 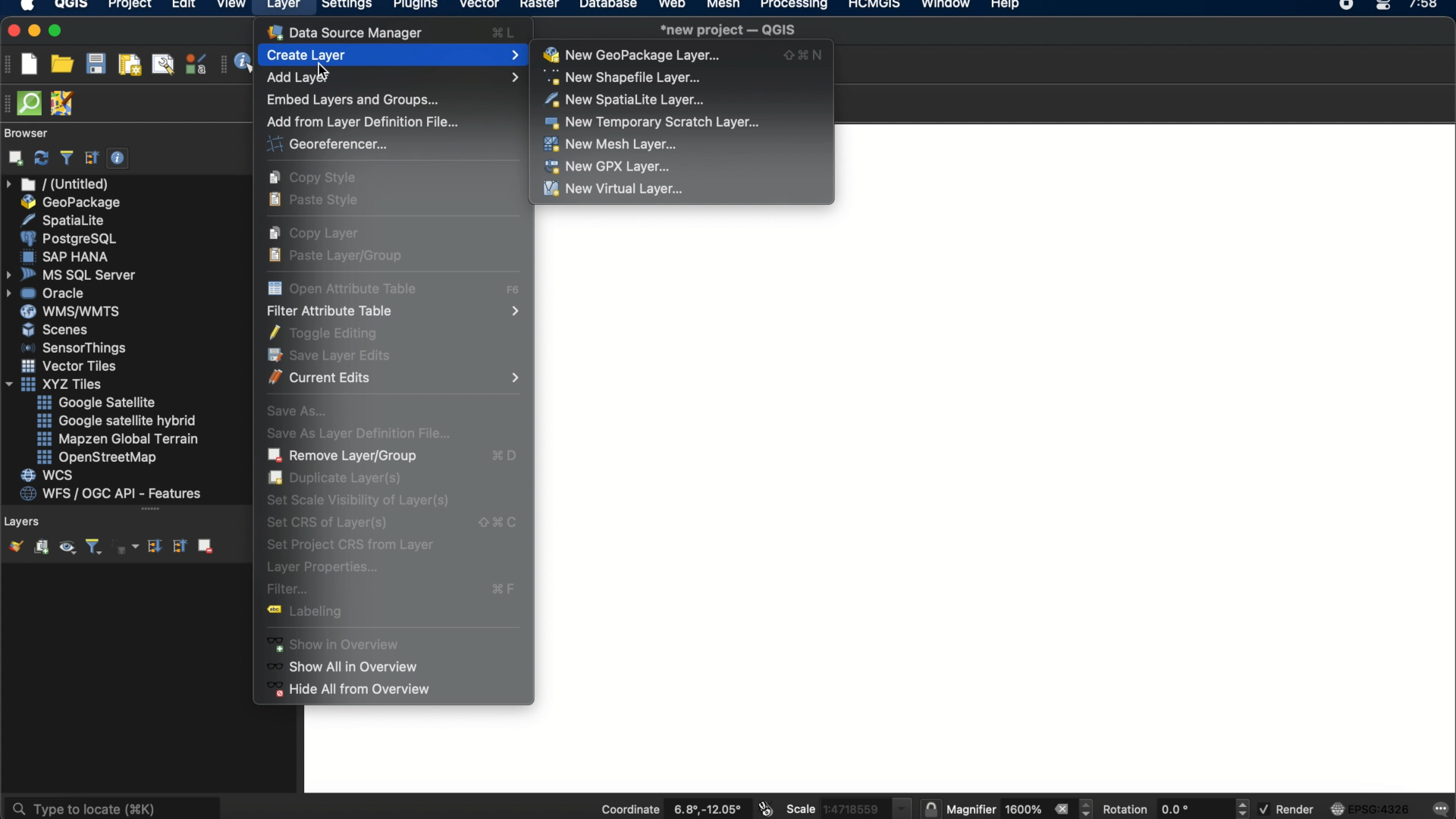 What do you see at coordinates (111, 494) in the screenshot?
I see `wfs/ogc api- features` at bounding box center [111, 494].